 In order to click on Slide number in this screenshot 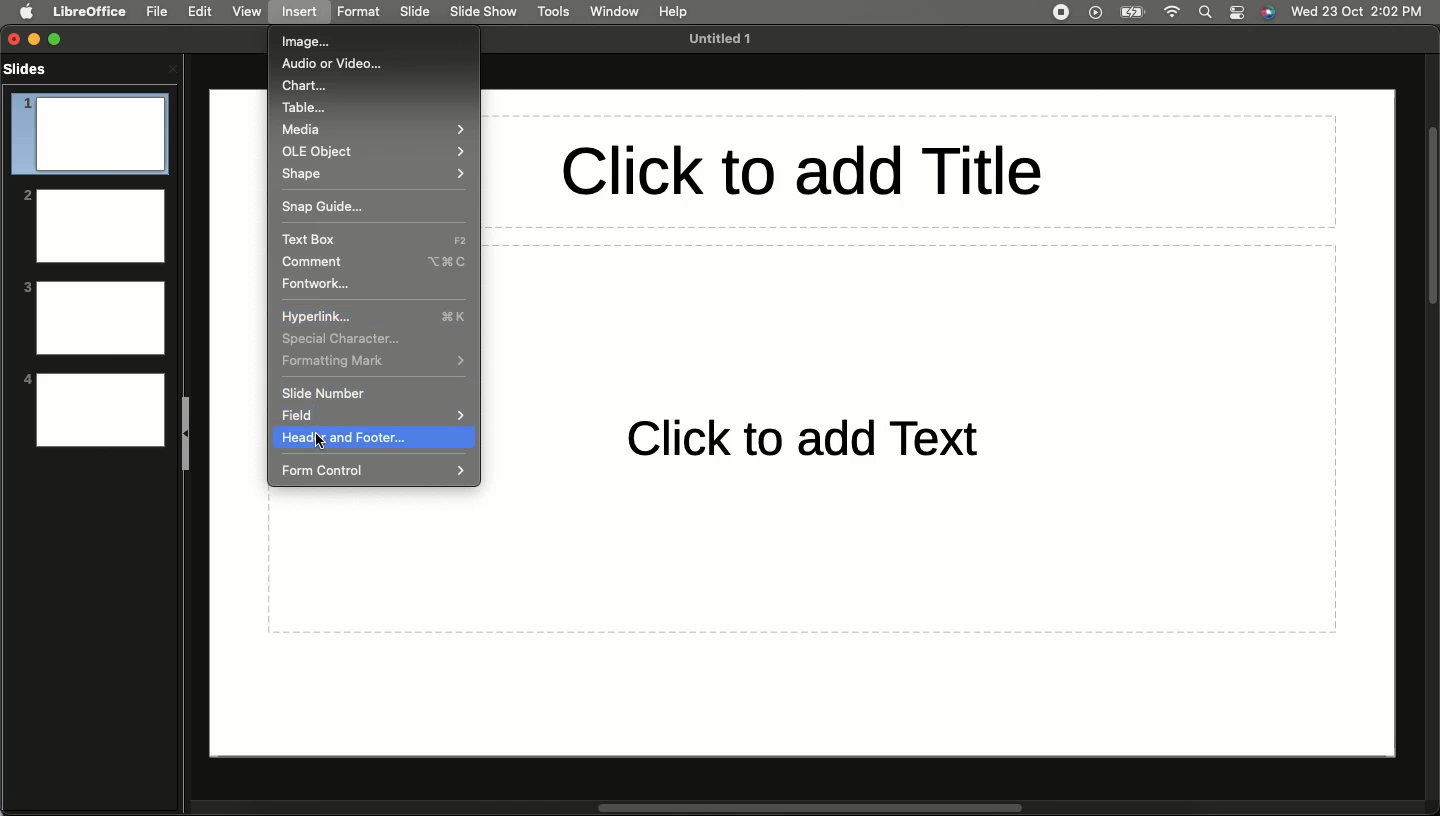, I will do `click(332, 393)`.